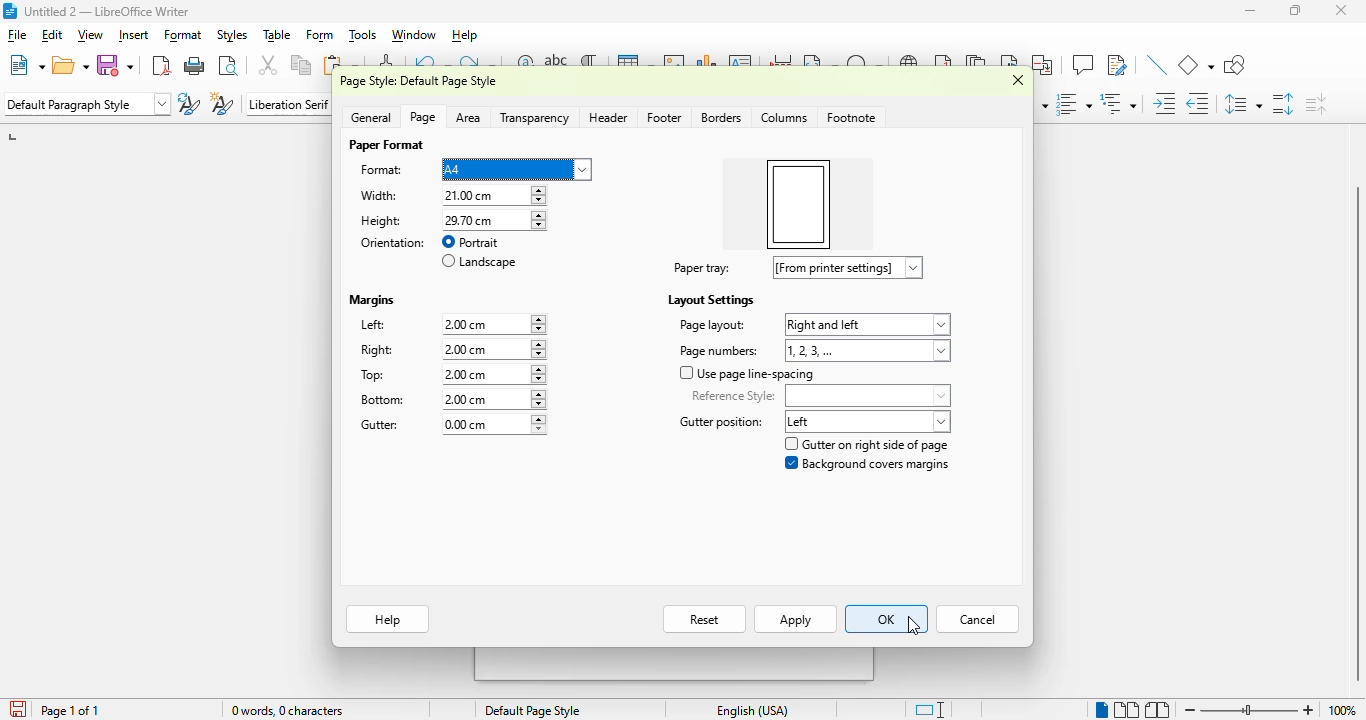 This screenshot has width=1366, height=720. What do you see at coordinates (277, 34) in the screenshot?
I see `table` at bounding box center [277, 34].